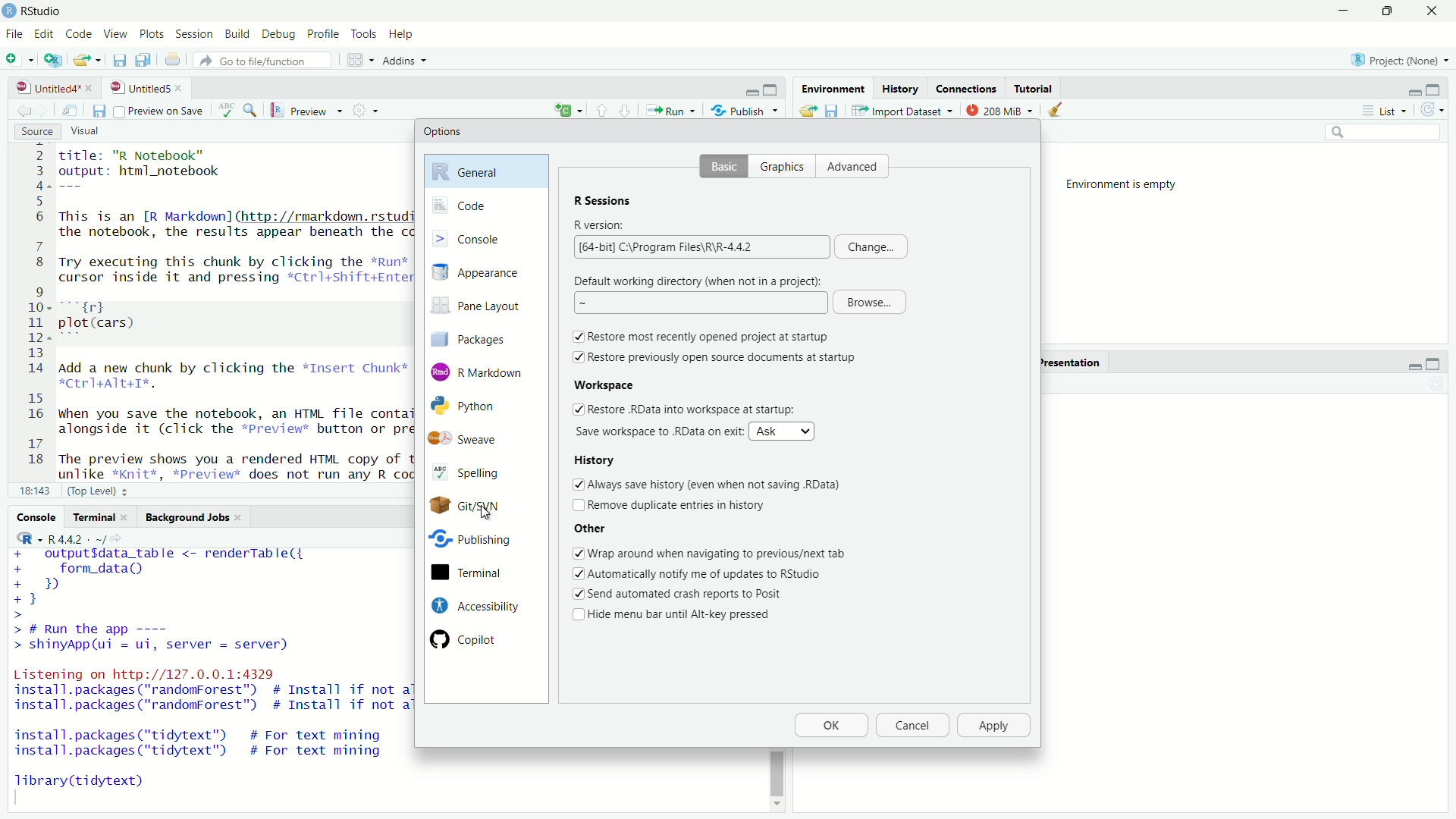  I want to click on R - R442 ~/, so click(59, 538).